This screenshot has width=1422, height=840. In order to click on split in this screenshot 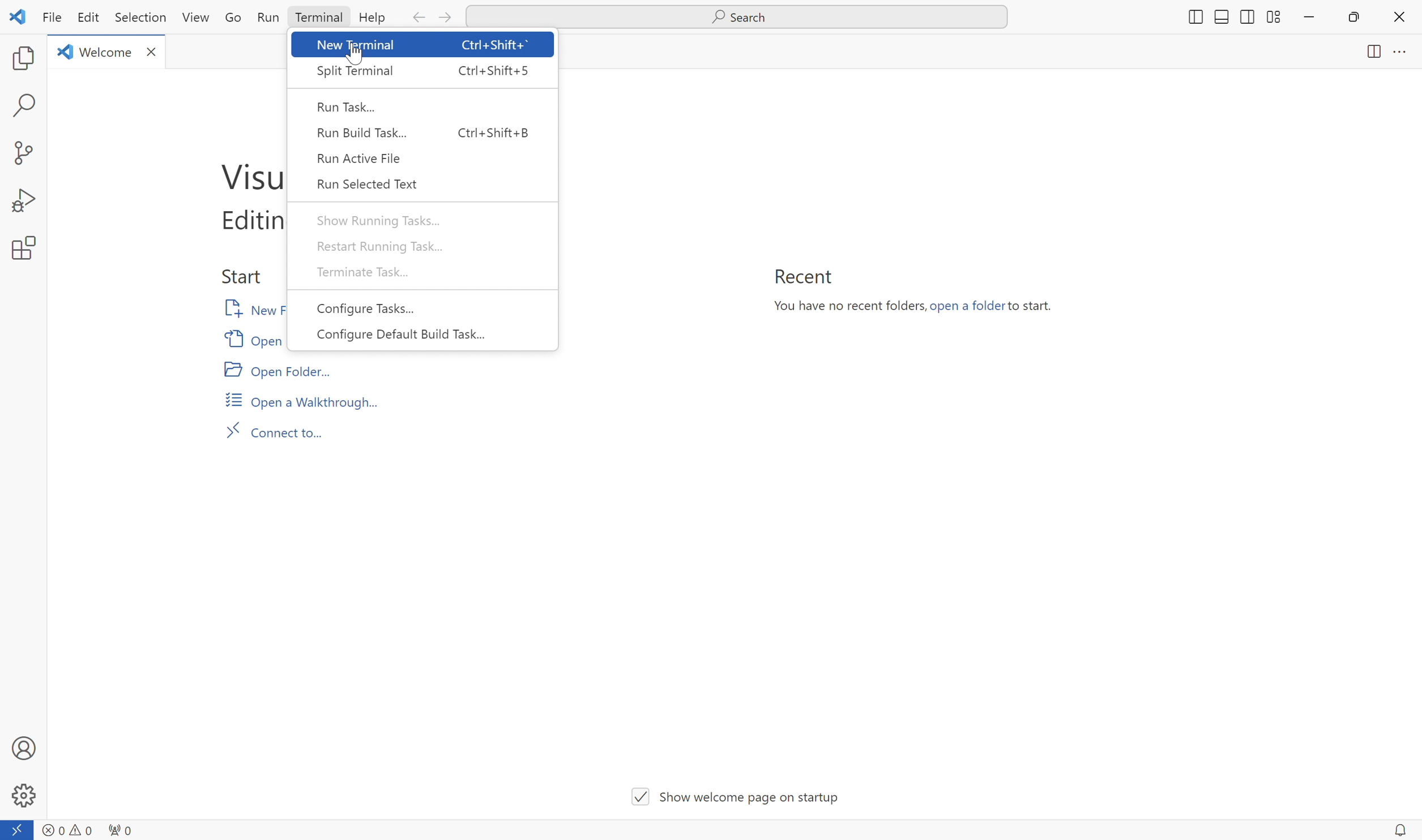, I will do `click(1369, 54)`.